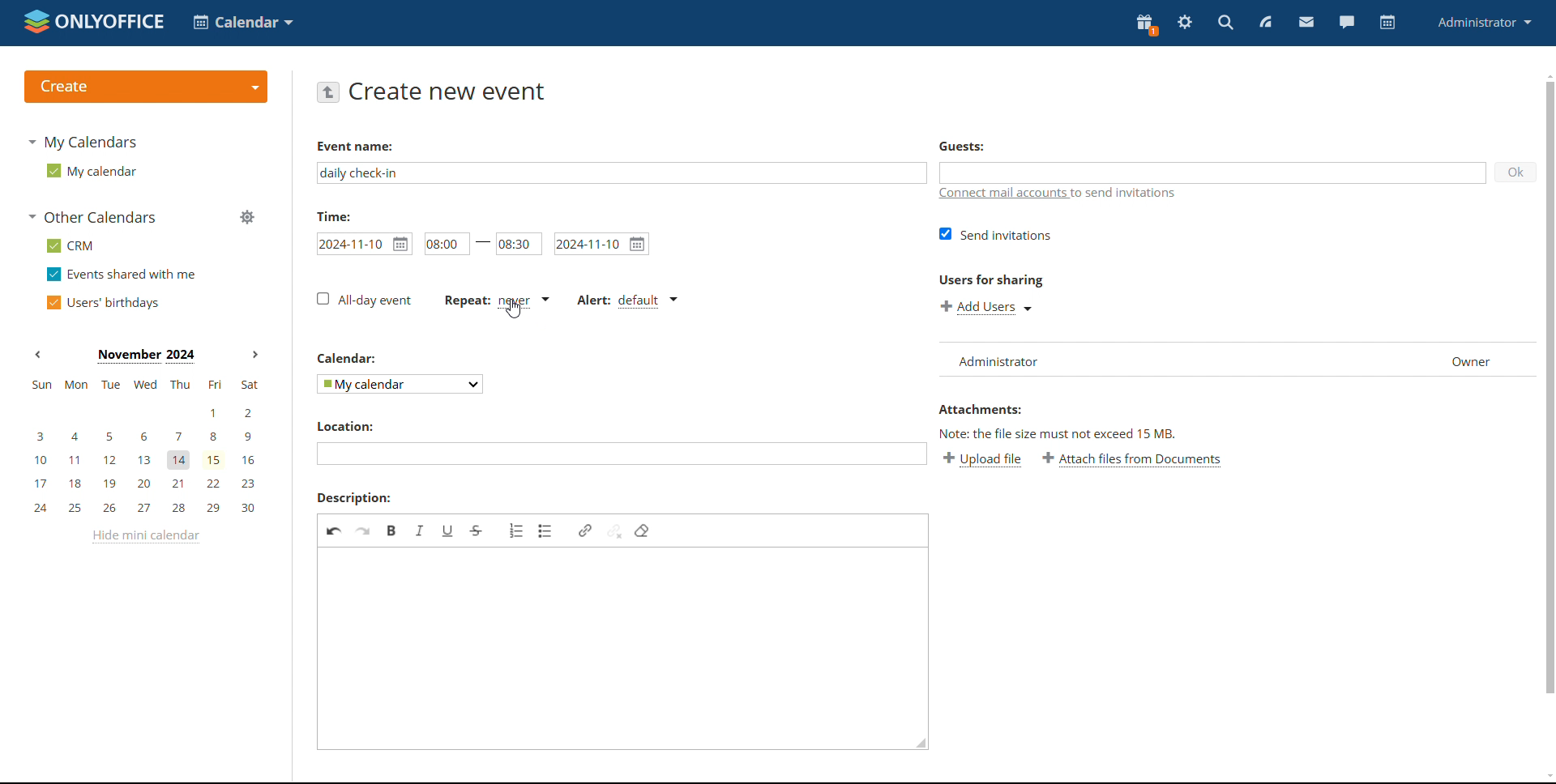 This screenshot has width=1556, height=784. I want to click on note, so click(1084, 435).